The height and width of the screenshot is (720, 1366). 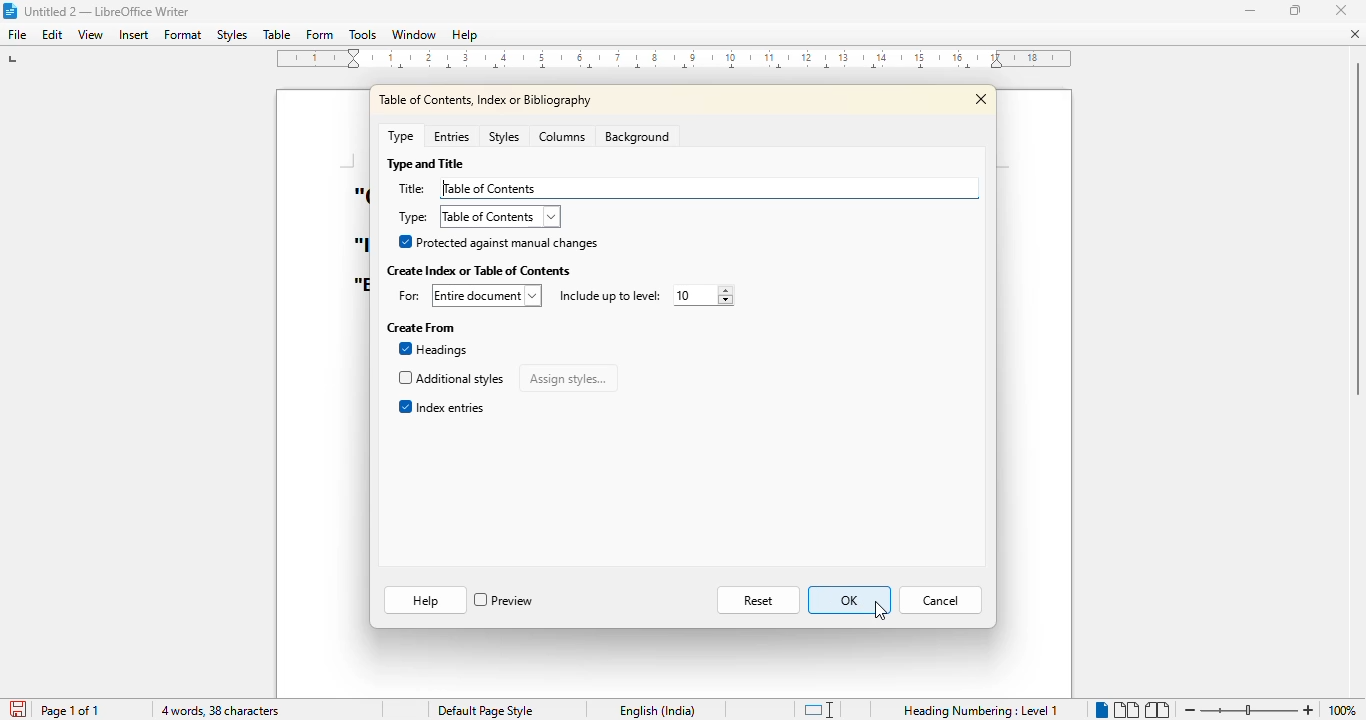 What do you see at coordinates (434, 350) in the screenshot?
I see `headings` at bounding box center [434, 350].